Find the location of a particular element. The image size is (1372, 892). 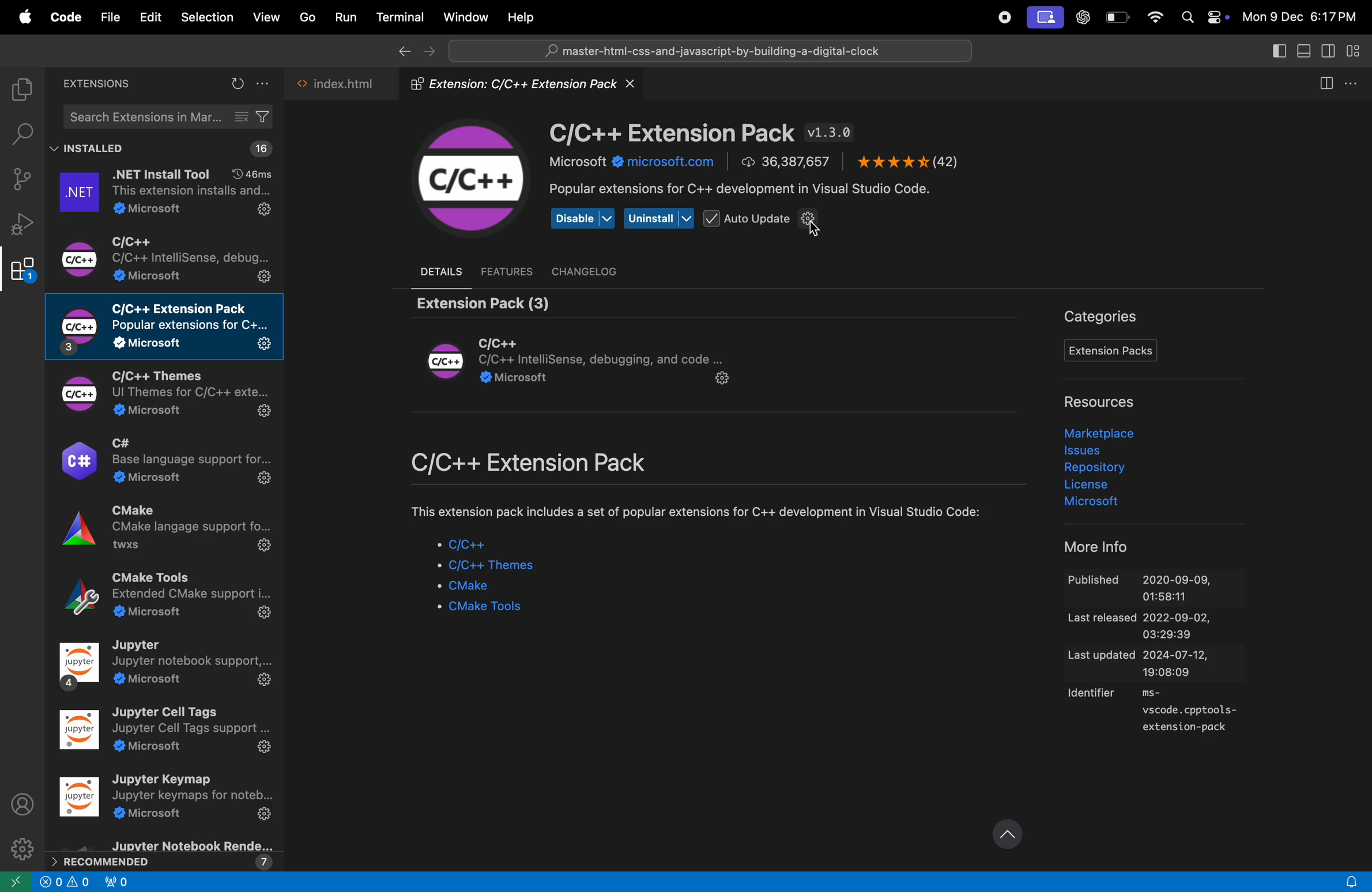

ratings is located at coordinates (906, 164).